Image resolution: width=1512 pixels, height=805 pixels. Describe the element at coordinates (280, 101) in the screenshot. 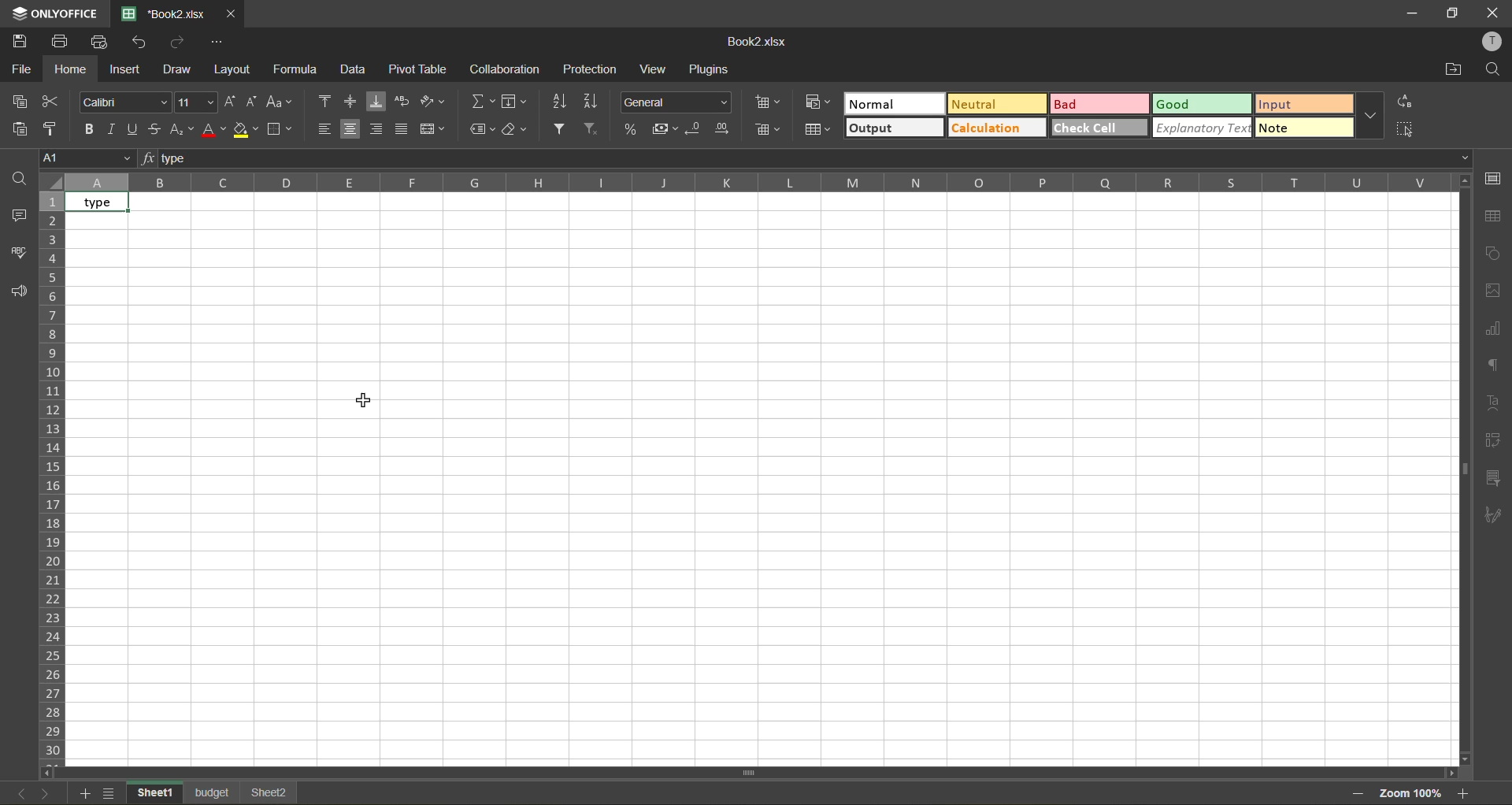

I see `change case` at that location.